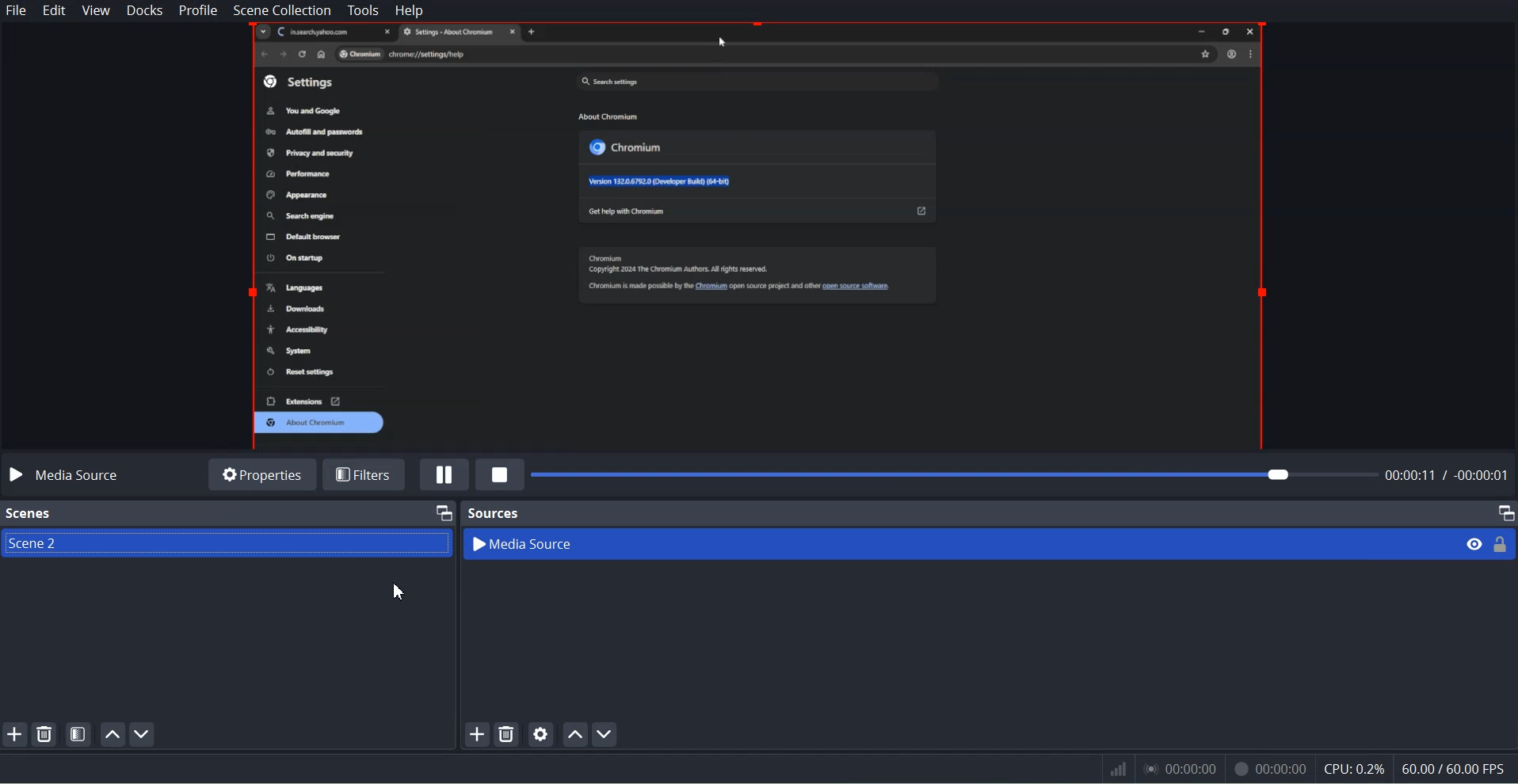 This screenshot has height=784, width=1518. I want to click on Properties, so click(261, 473).